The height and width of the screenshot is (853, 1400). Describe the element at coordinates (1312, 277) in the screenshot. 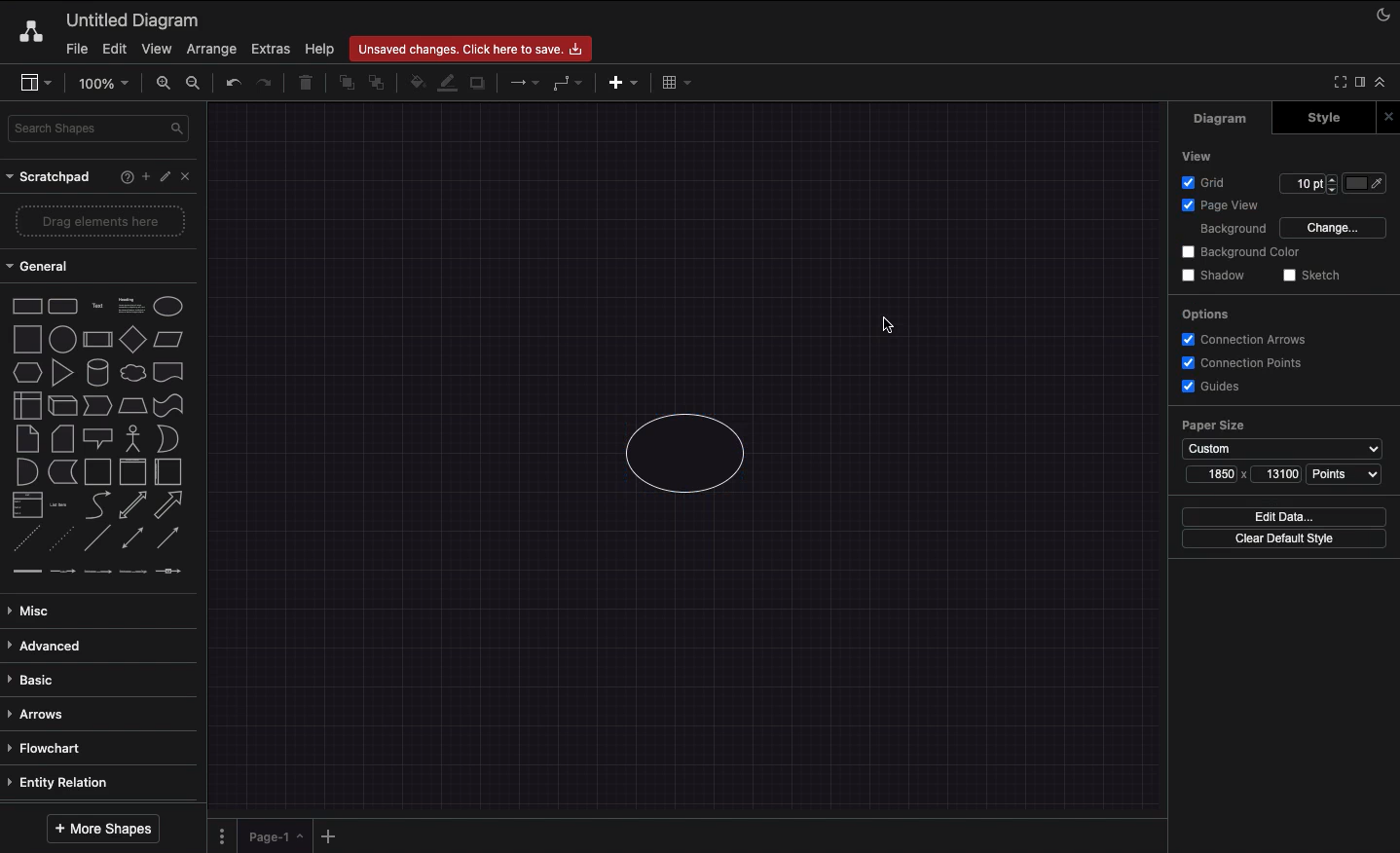

I see `Sketch ` at that location.